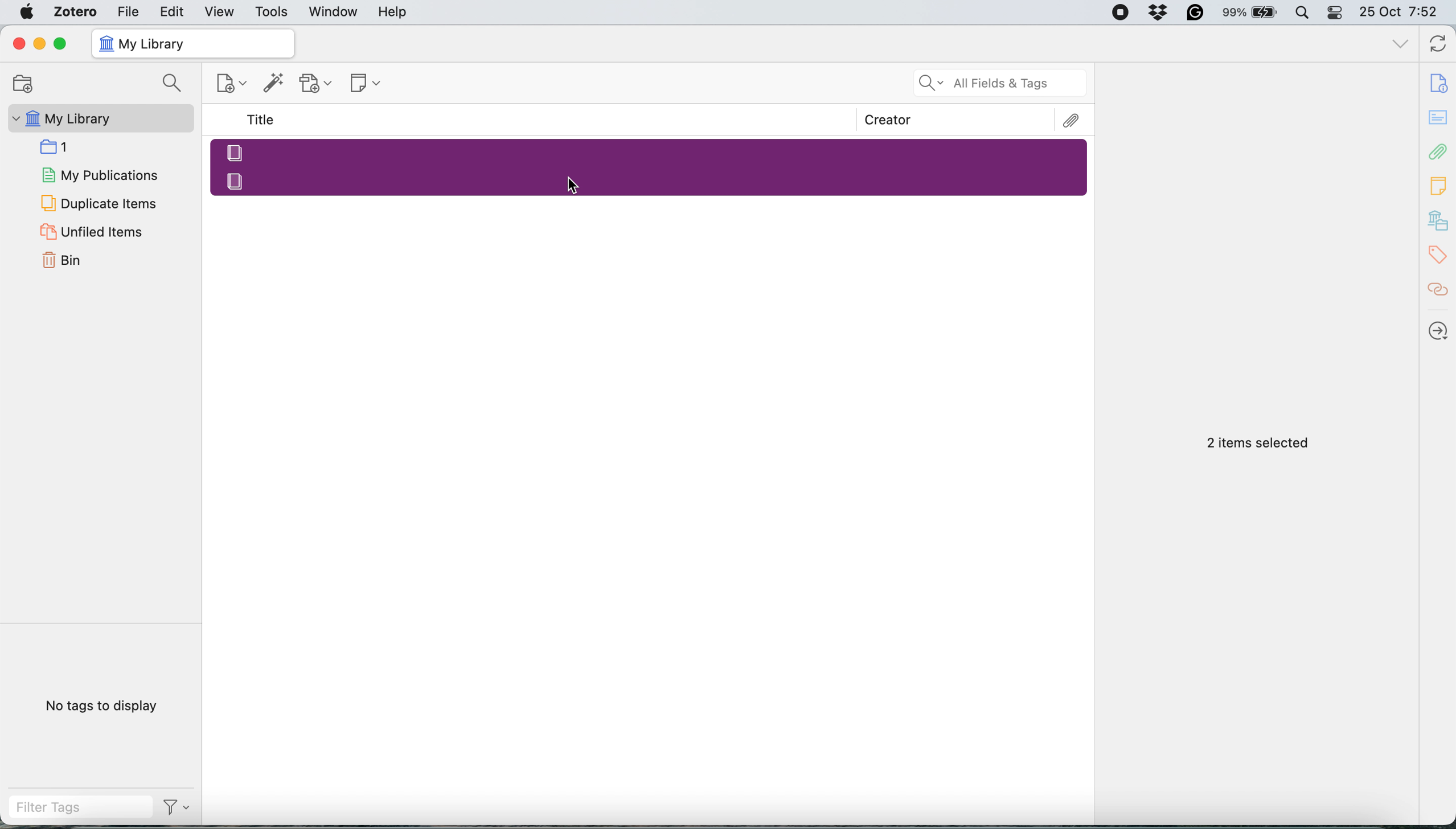  I want to click on Add Item, so click(274, 86).